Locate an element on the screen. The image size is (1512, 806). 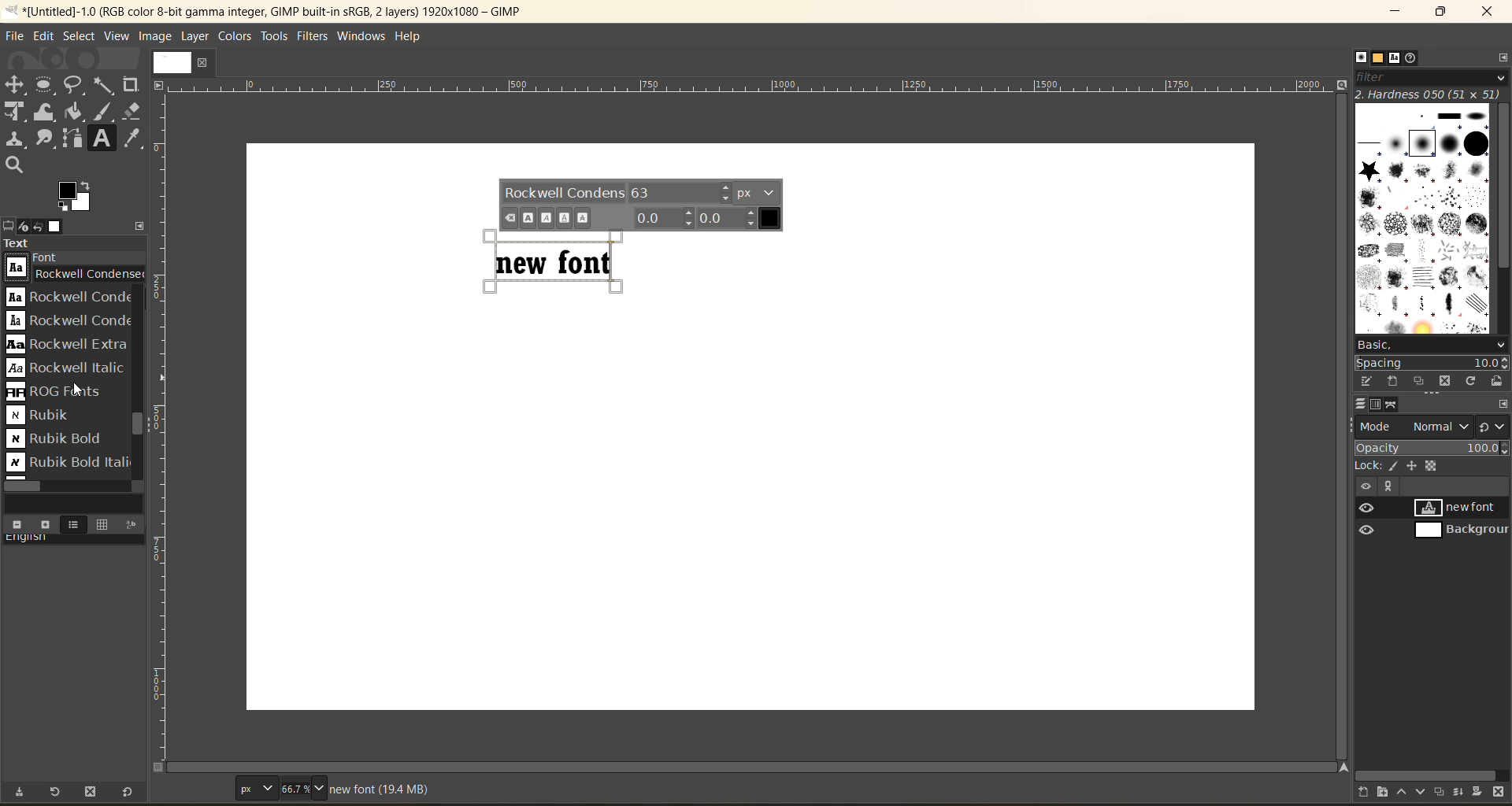
delete tool preset is located at coordinates (91, 794).